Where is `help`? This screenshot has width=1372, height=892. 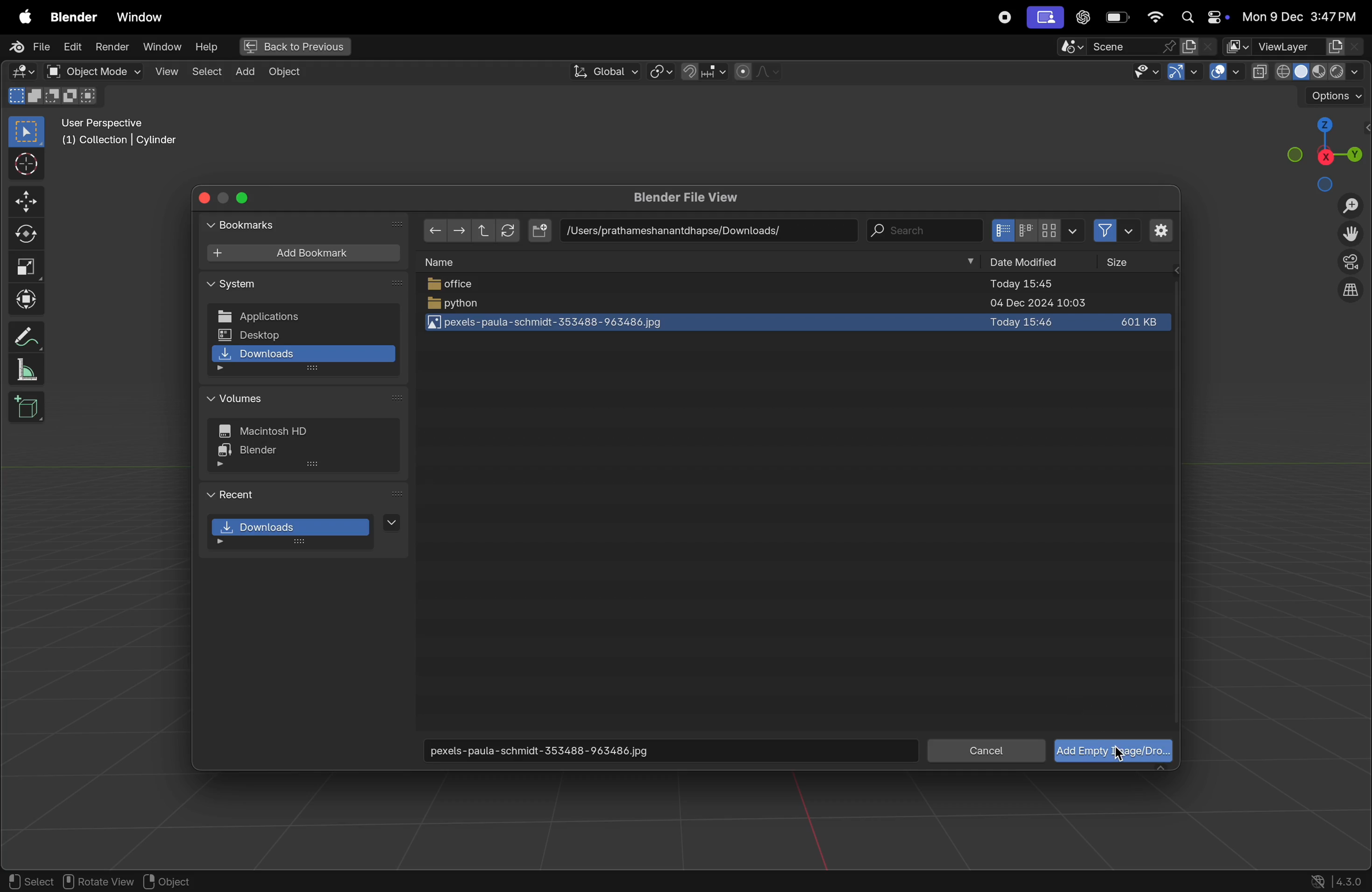
help is located at coordinates (206, 46).